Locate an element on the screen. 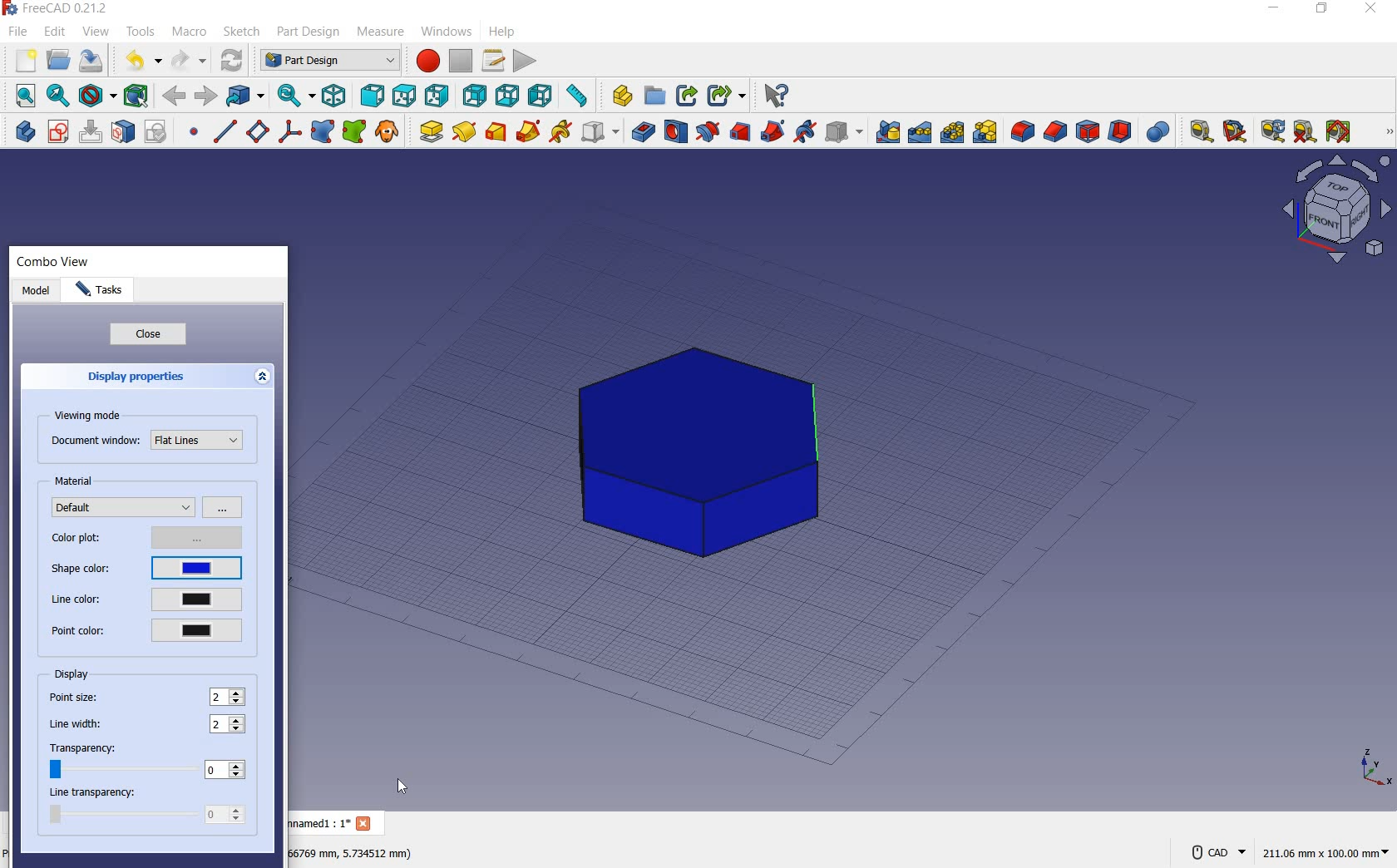 This screenshot has width=1397, height=868. shape color is located at coordinates (81, 570).